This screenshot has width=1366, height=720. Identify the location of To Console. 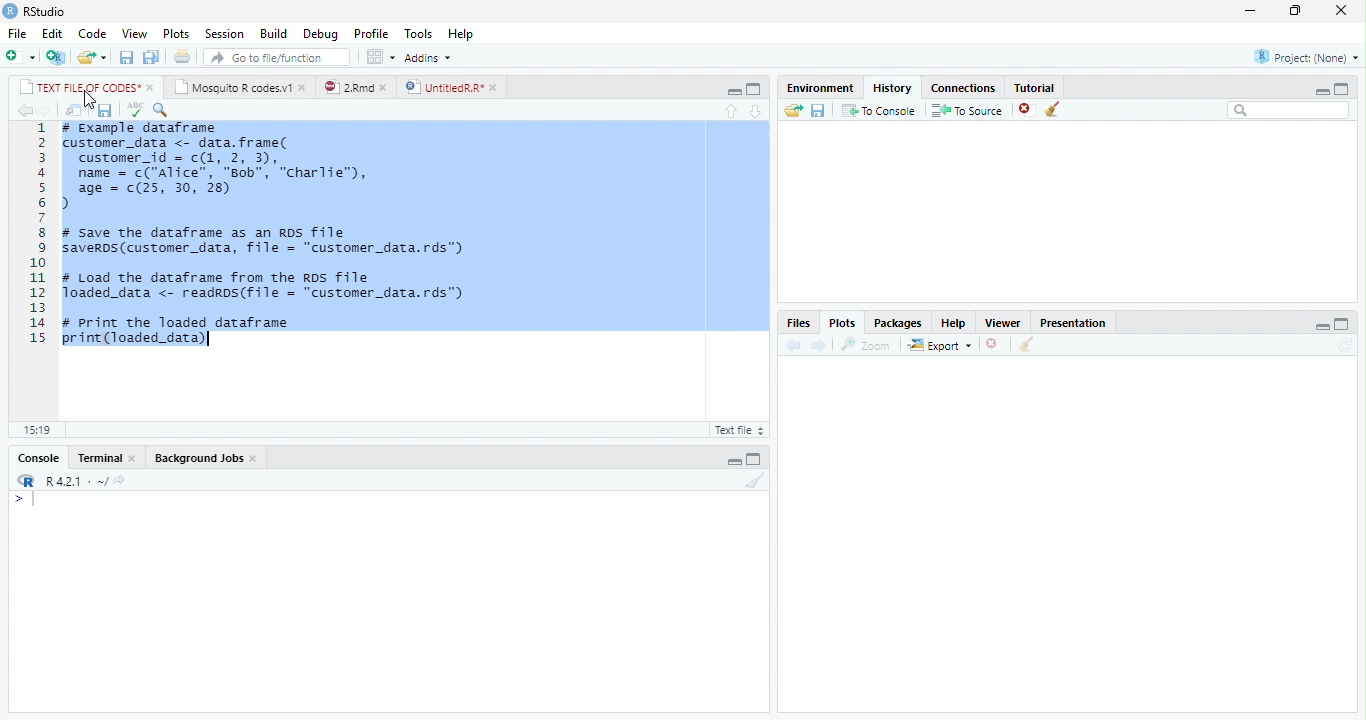
(878, 110).